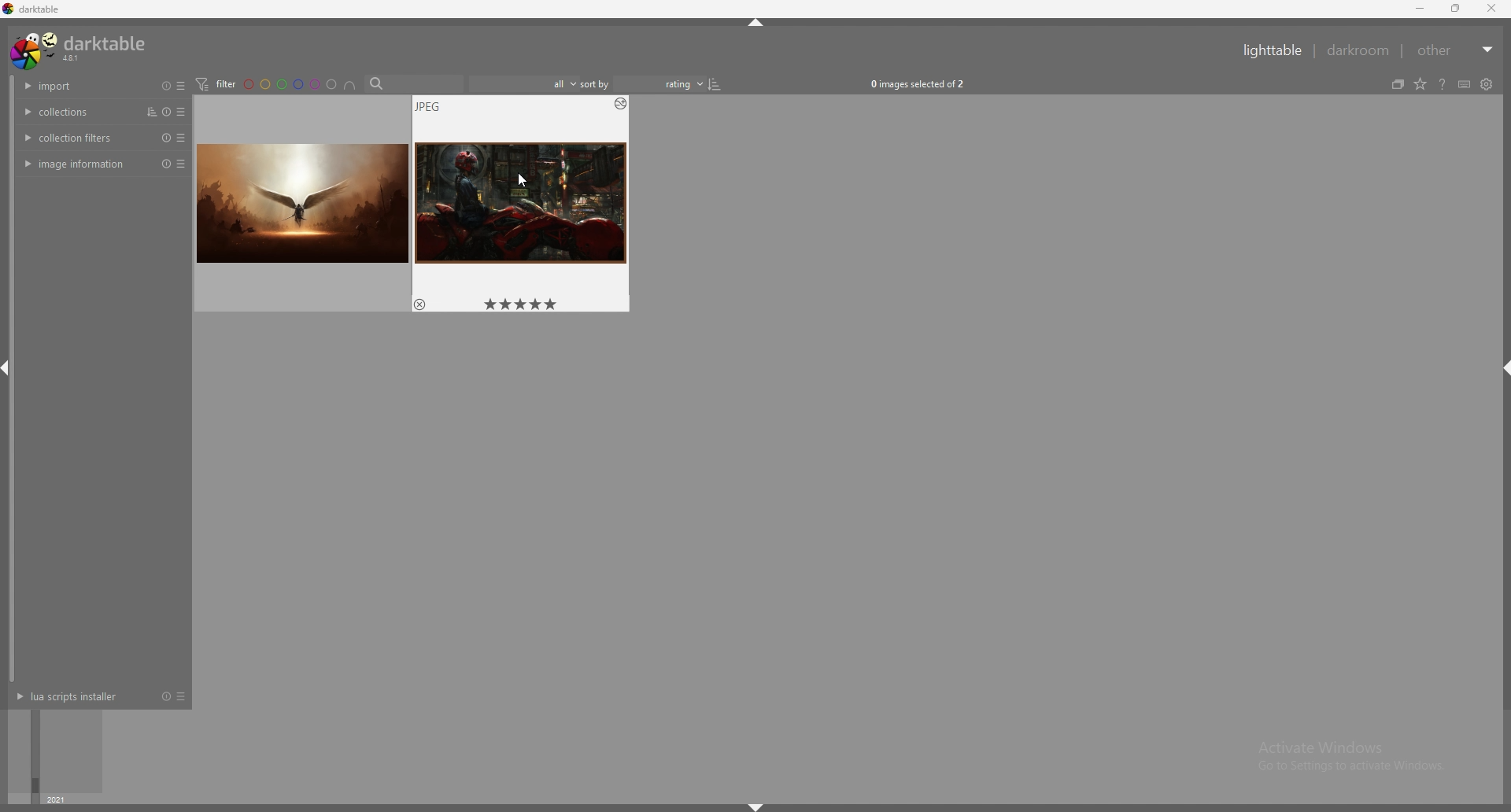 This screenshot has height=812, width=1511. Describe the element at coordinates (64, 798) in the screenshot. I see `year` at that location.